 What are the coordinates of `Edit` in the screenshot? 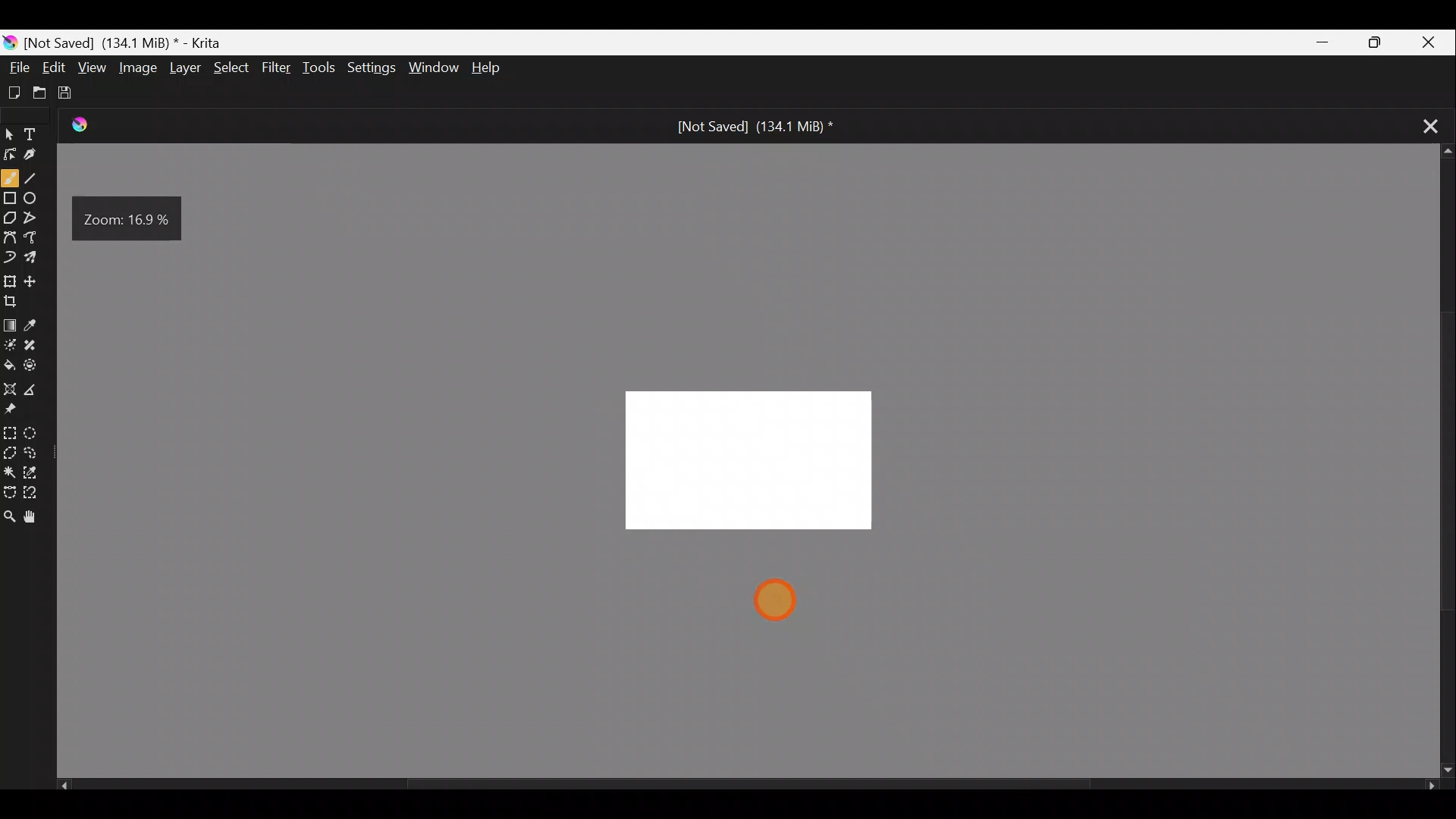 It's located at (55, 67).